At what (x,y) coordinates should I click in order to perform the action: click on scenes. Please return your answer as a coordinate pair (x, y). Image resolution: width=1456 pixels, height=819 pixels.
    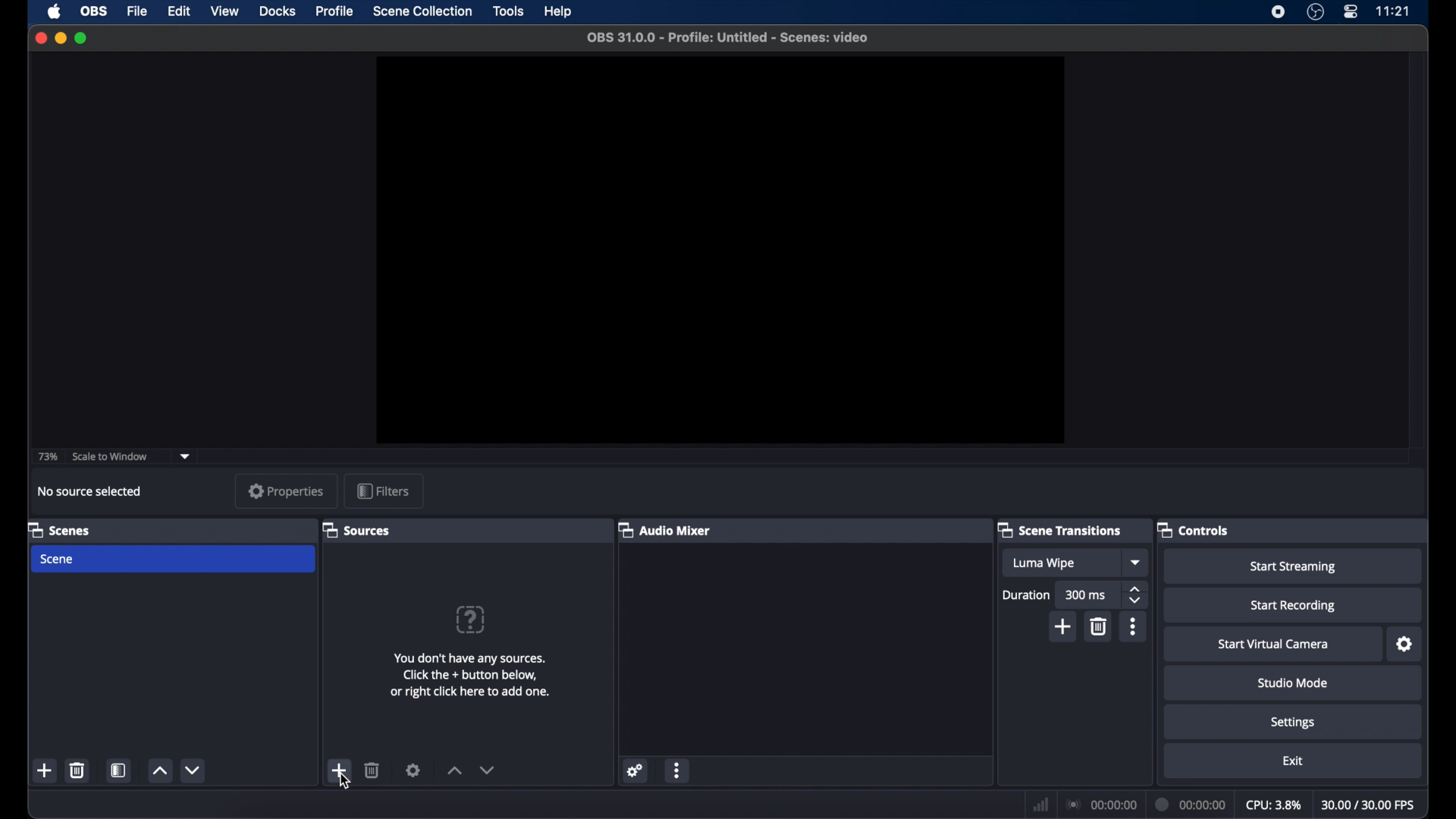
    Looking at the image, I should click on (60, 529).